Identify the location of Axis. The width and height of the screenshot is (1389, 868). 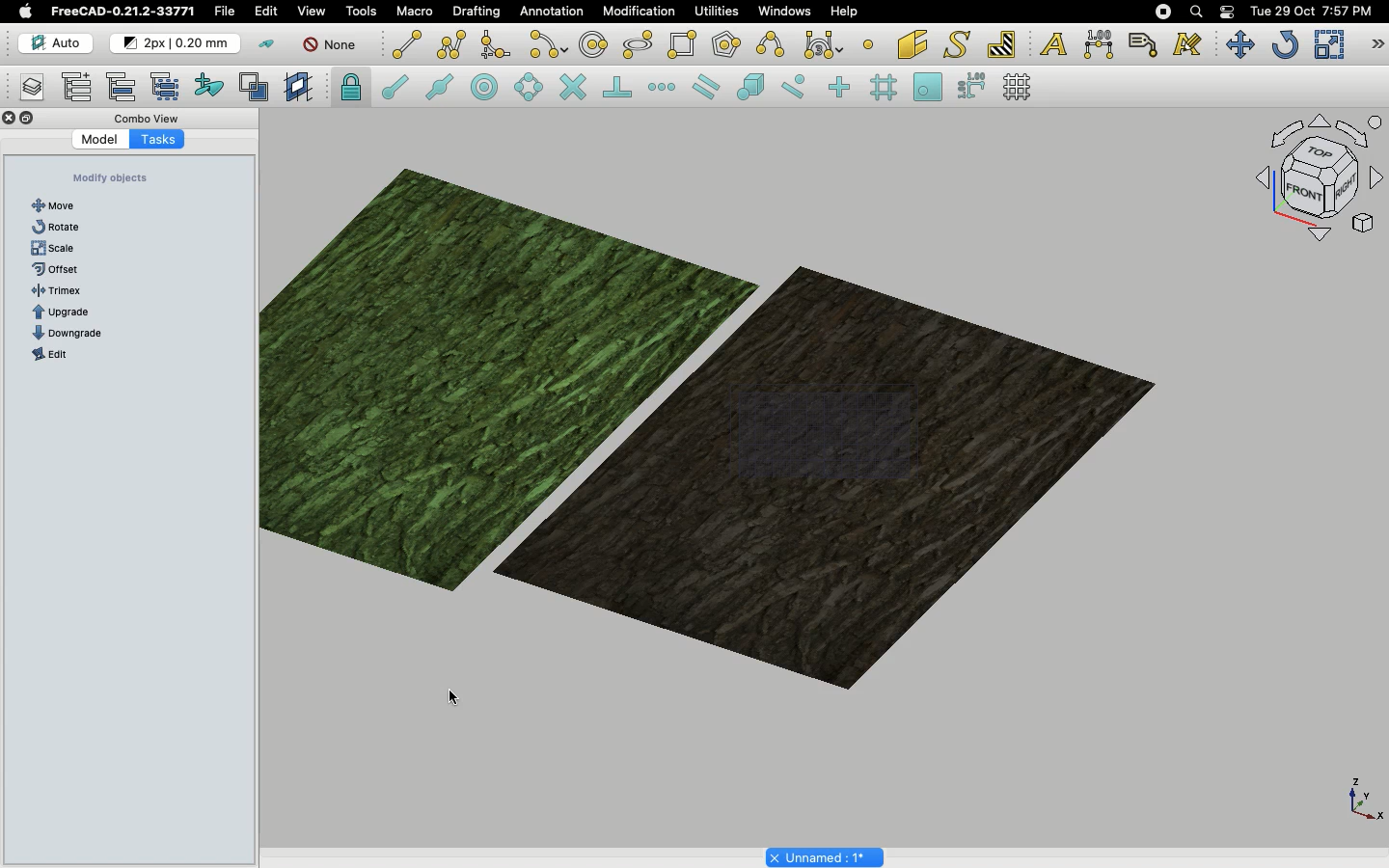
(1361, 798).